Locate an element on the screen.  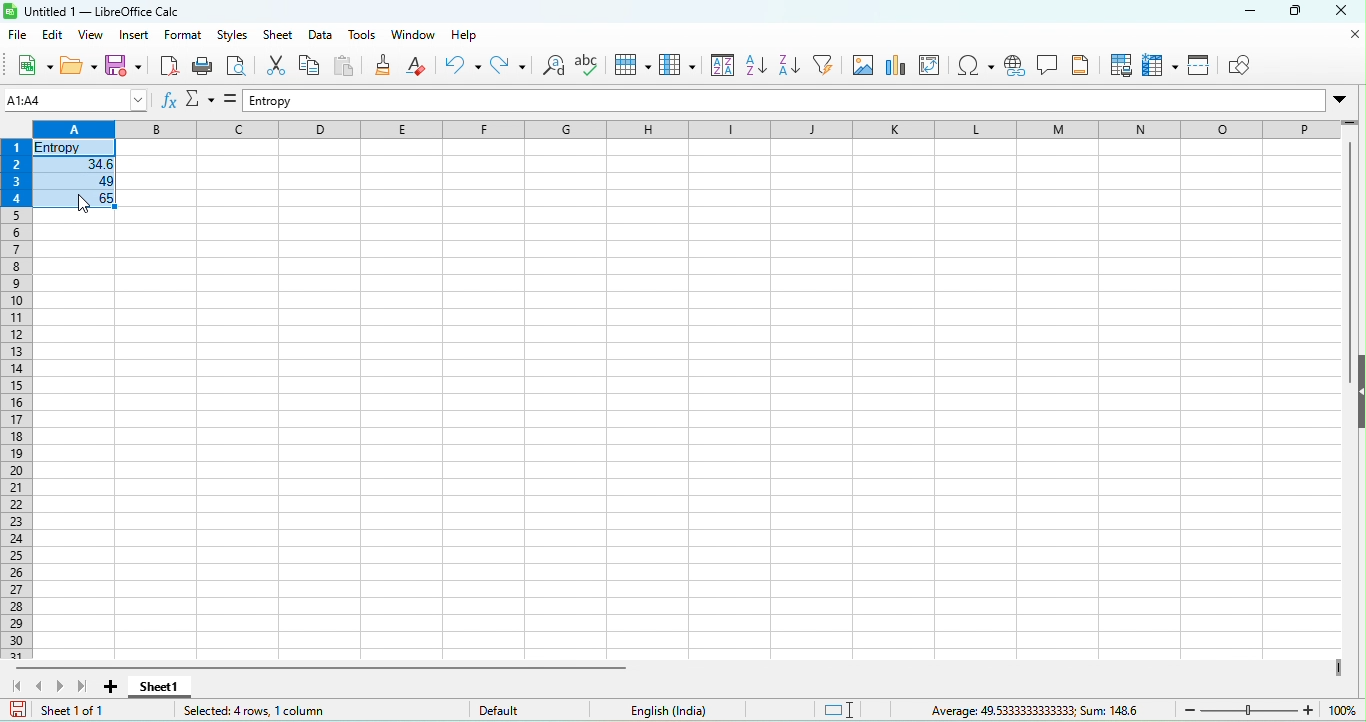
paste is located at coordinates (345, 68).